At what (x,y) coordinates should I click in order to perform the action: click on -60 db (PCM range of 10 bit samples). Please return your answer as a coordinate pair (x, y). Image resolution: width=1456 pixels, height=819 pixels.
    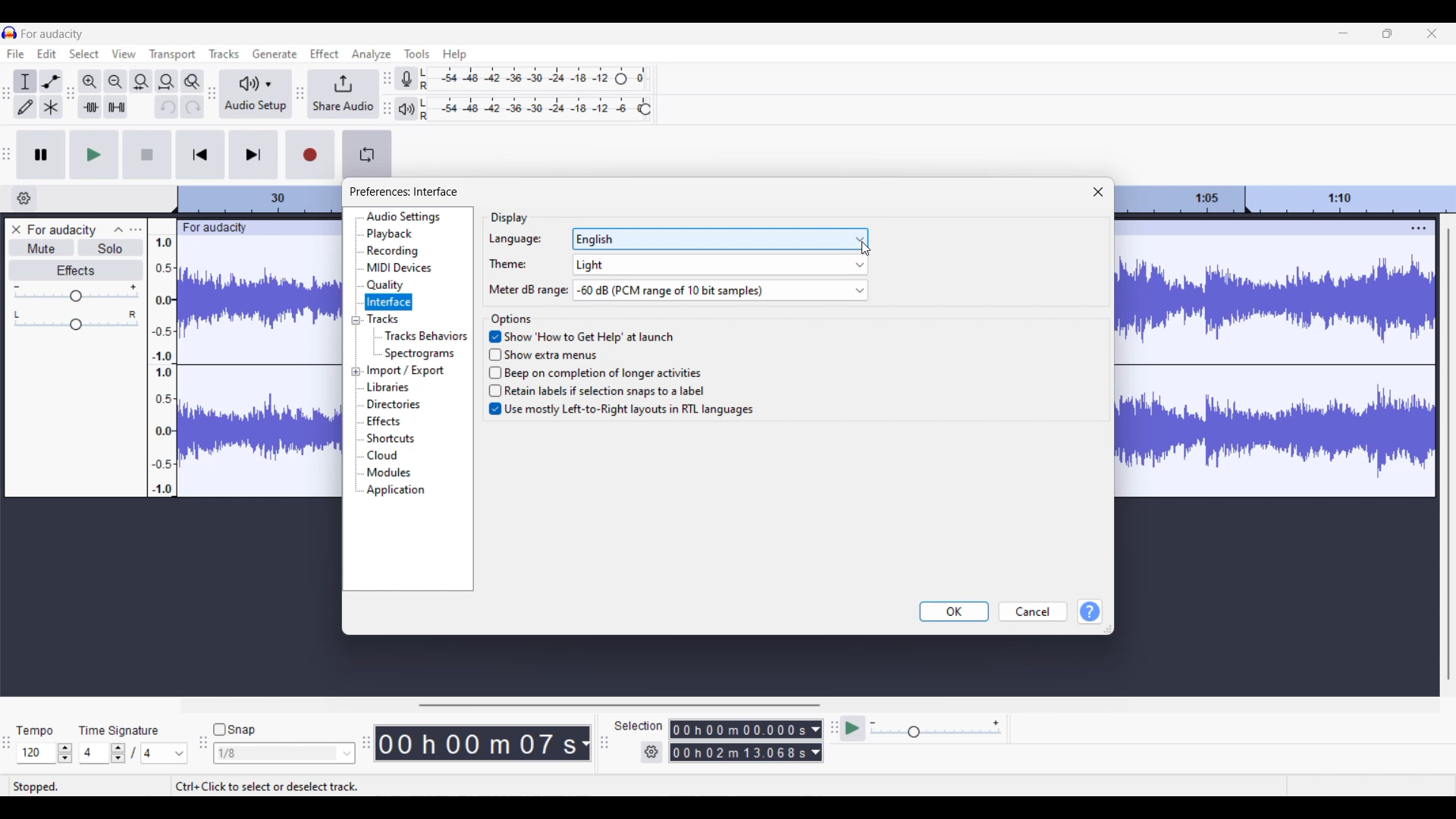
    Looking at the image, I should click on (720, 290).